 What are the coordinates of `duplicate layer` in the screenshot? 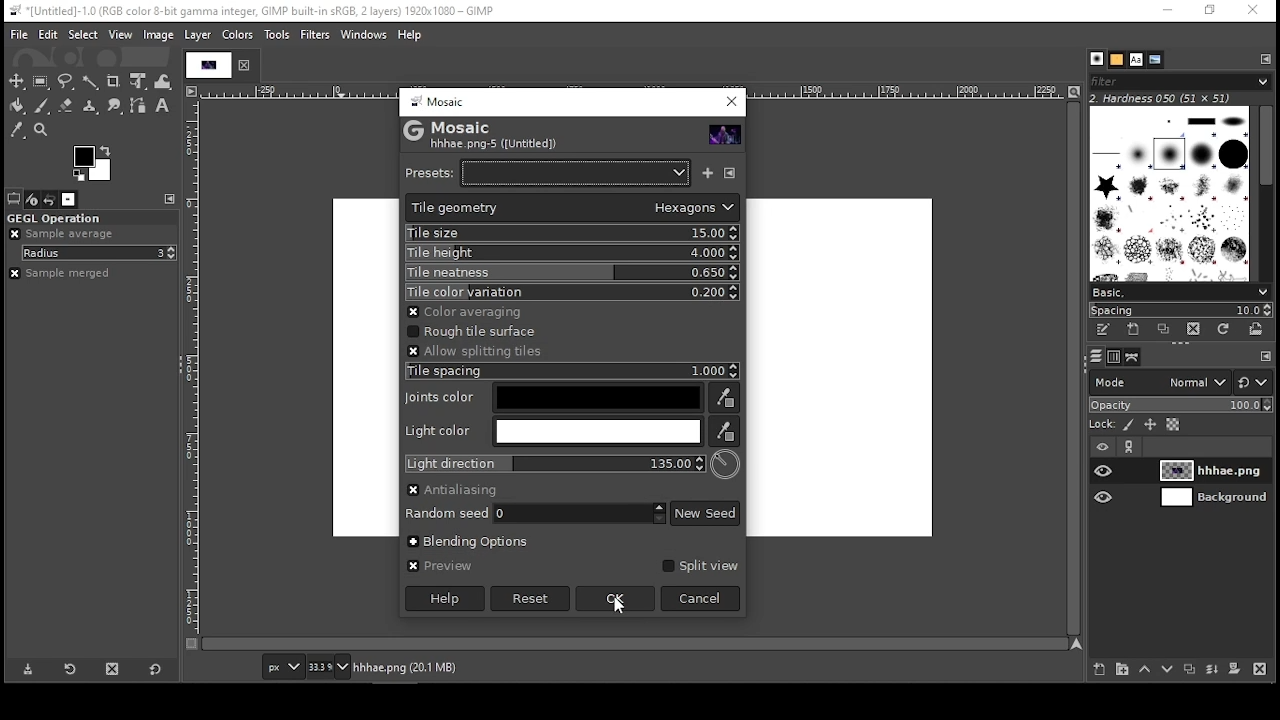 It's located at (1190, 672).